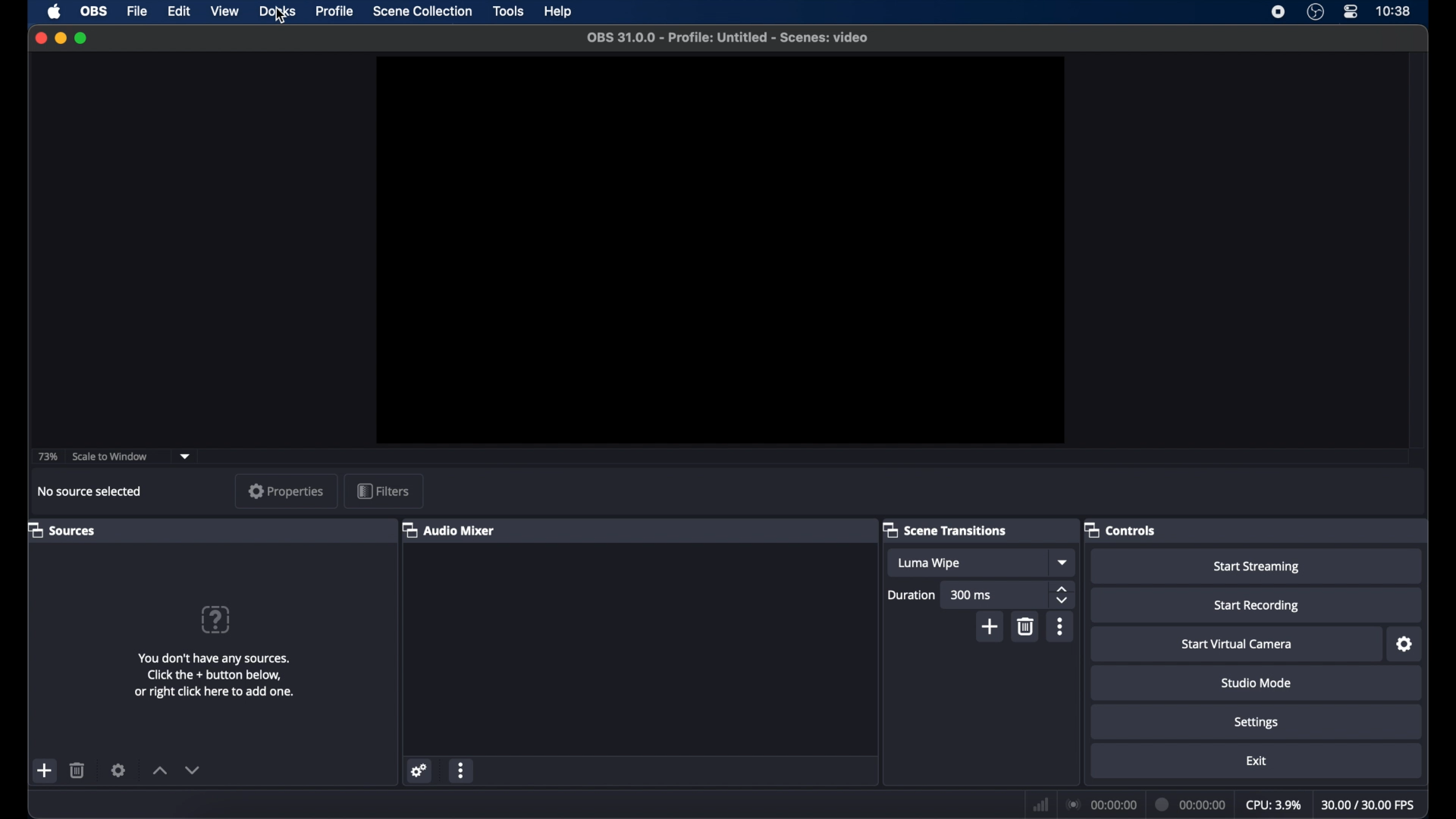  Describe the element at coordinates (1061, 627) in the screenshot. I see `more options` at that location.